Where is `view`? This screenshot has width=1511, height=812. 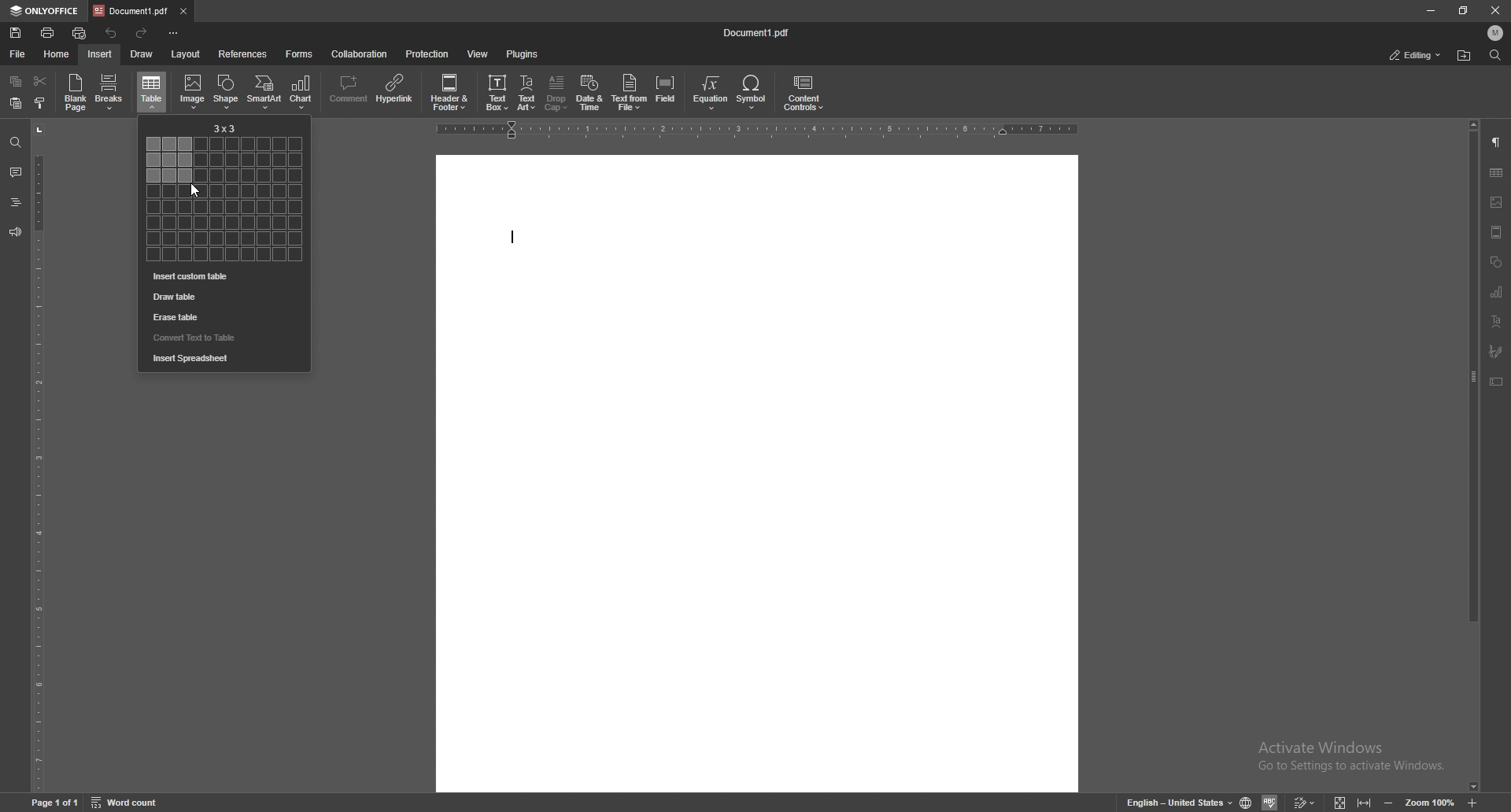
view is located at coordinates (478, 54).